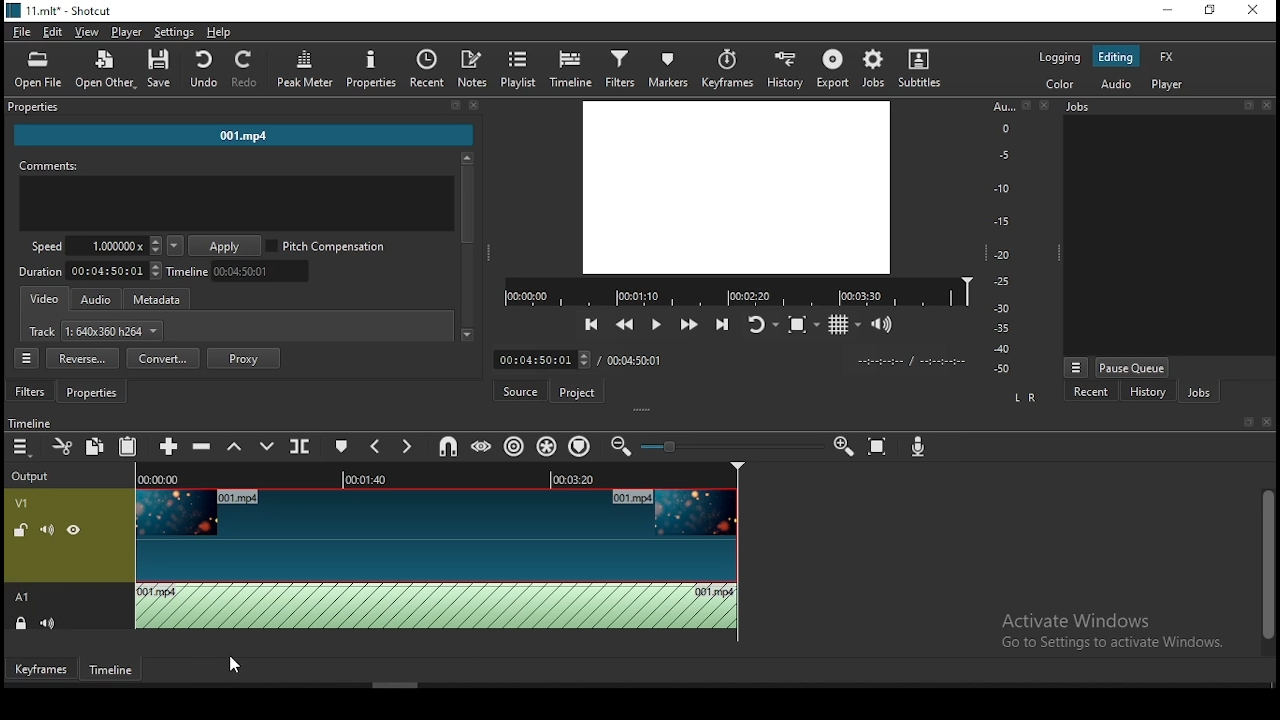  Describe the element at coordinates (622, 68) in the screenshot. I see `filters` at that location.